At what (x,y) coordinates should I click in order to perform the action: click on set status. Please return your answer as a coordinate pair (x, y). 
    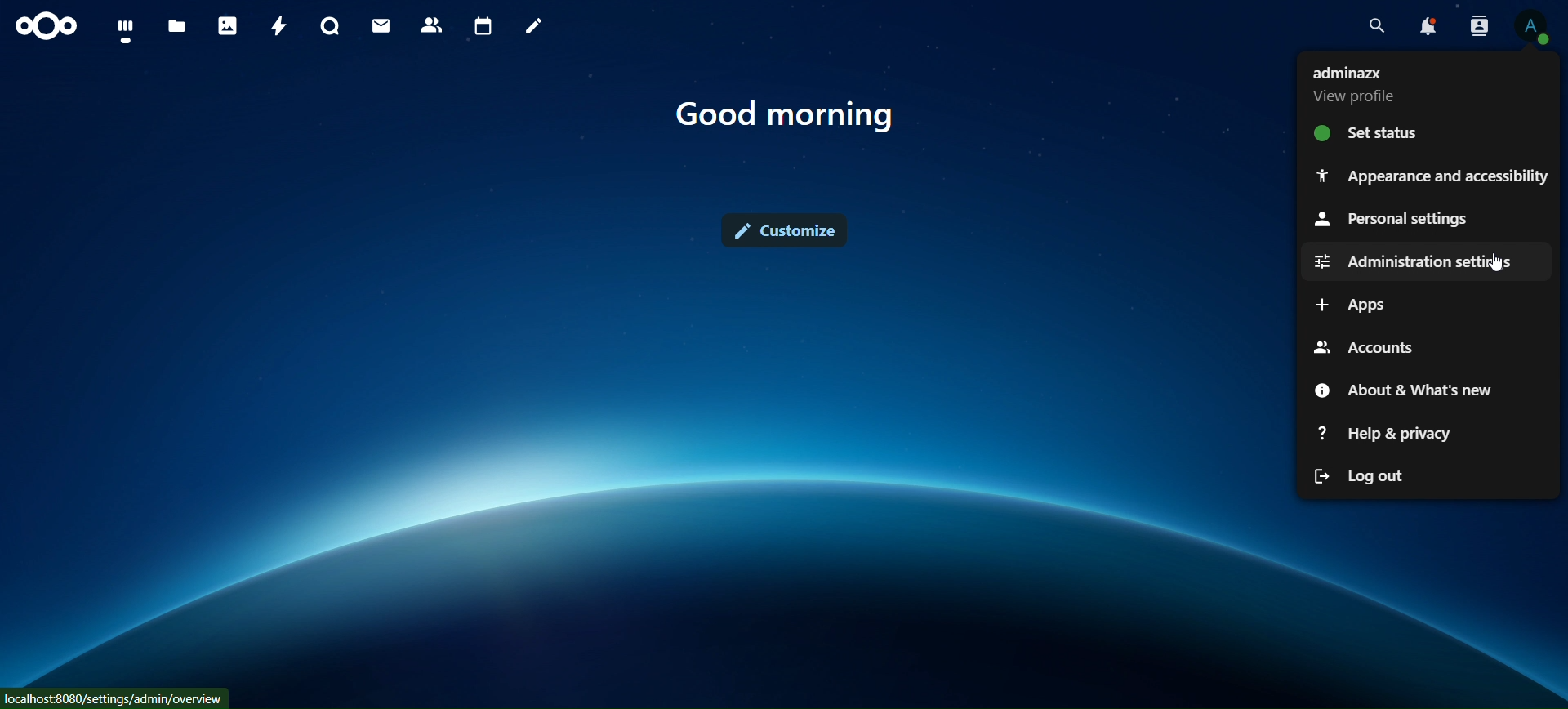
    Looking at the image, I should click on (1372, 132).